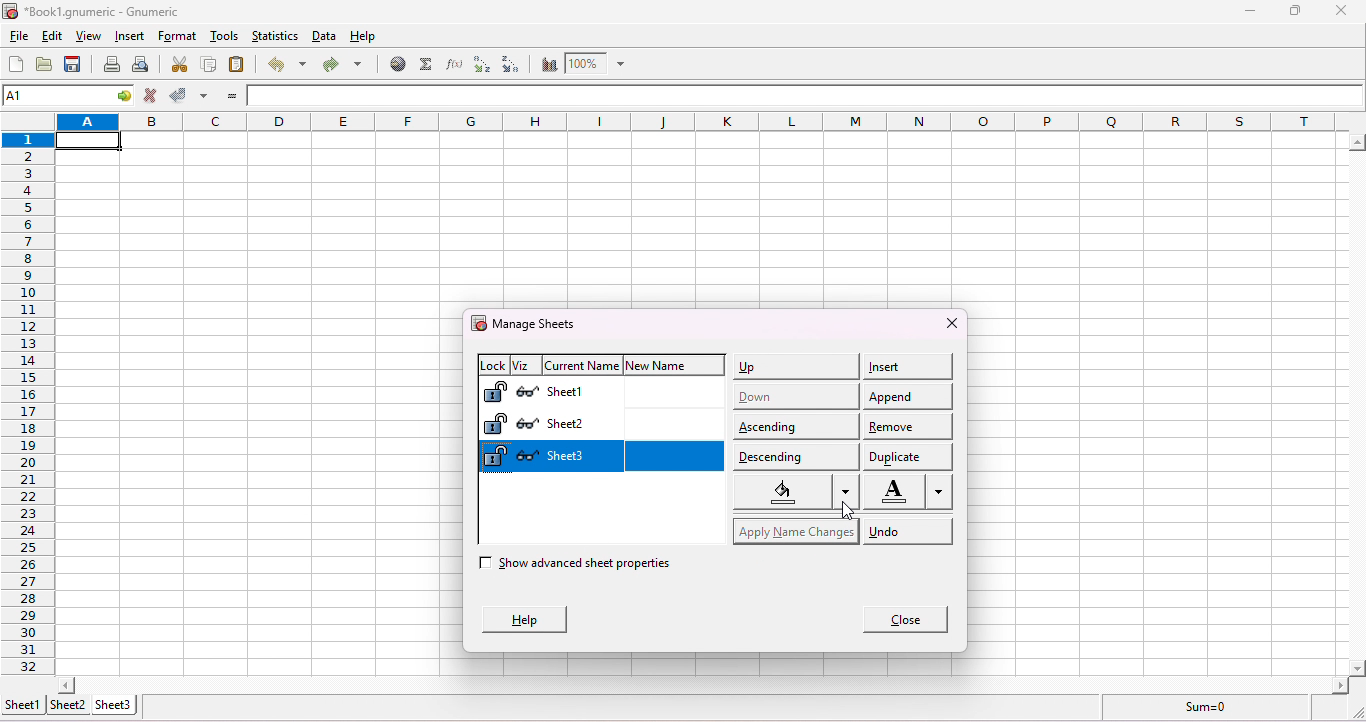 This screenshot has height=722, width=1366. Describe the element at coordinates (1251, 11) in the screenshot. I see `minimize` at that location.